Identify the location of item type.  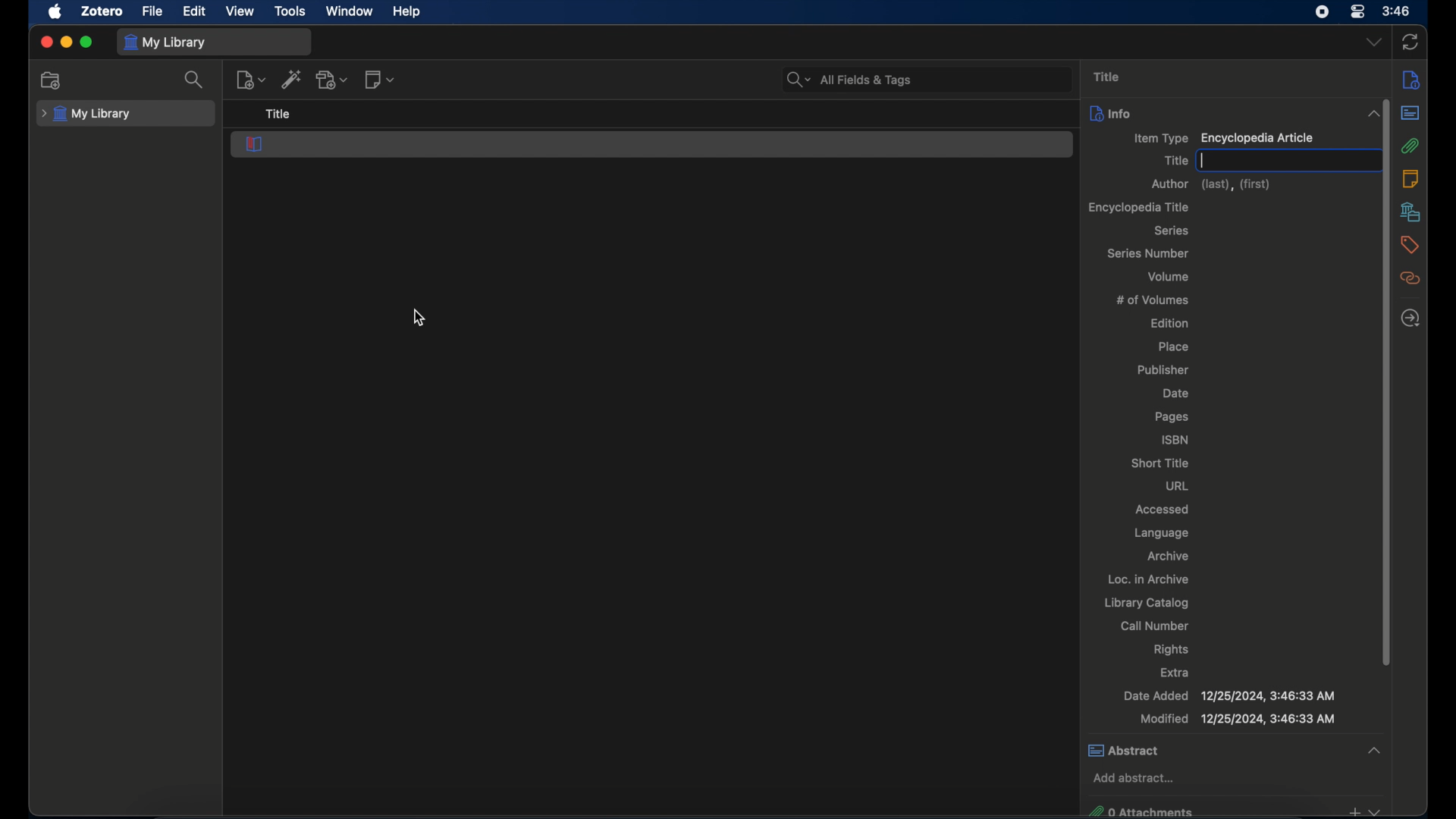
(1223, 139).